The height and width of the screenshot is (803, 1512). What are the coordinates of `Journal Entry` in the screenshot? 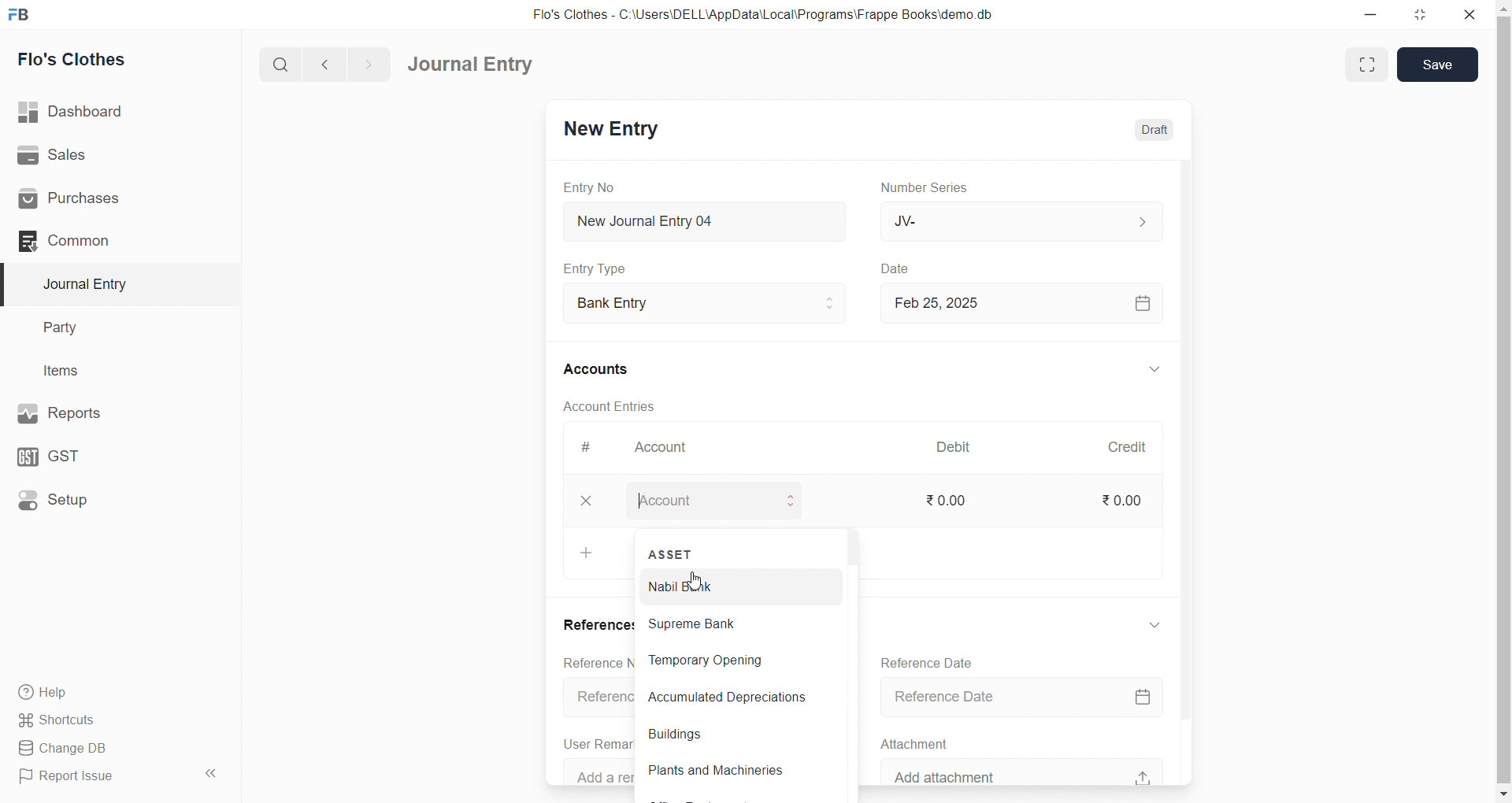 It's located at (112, 284).